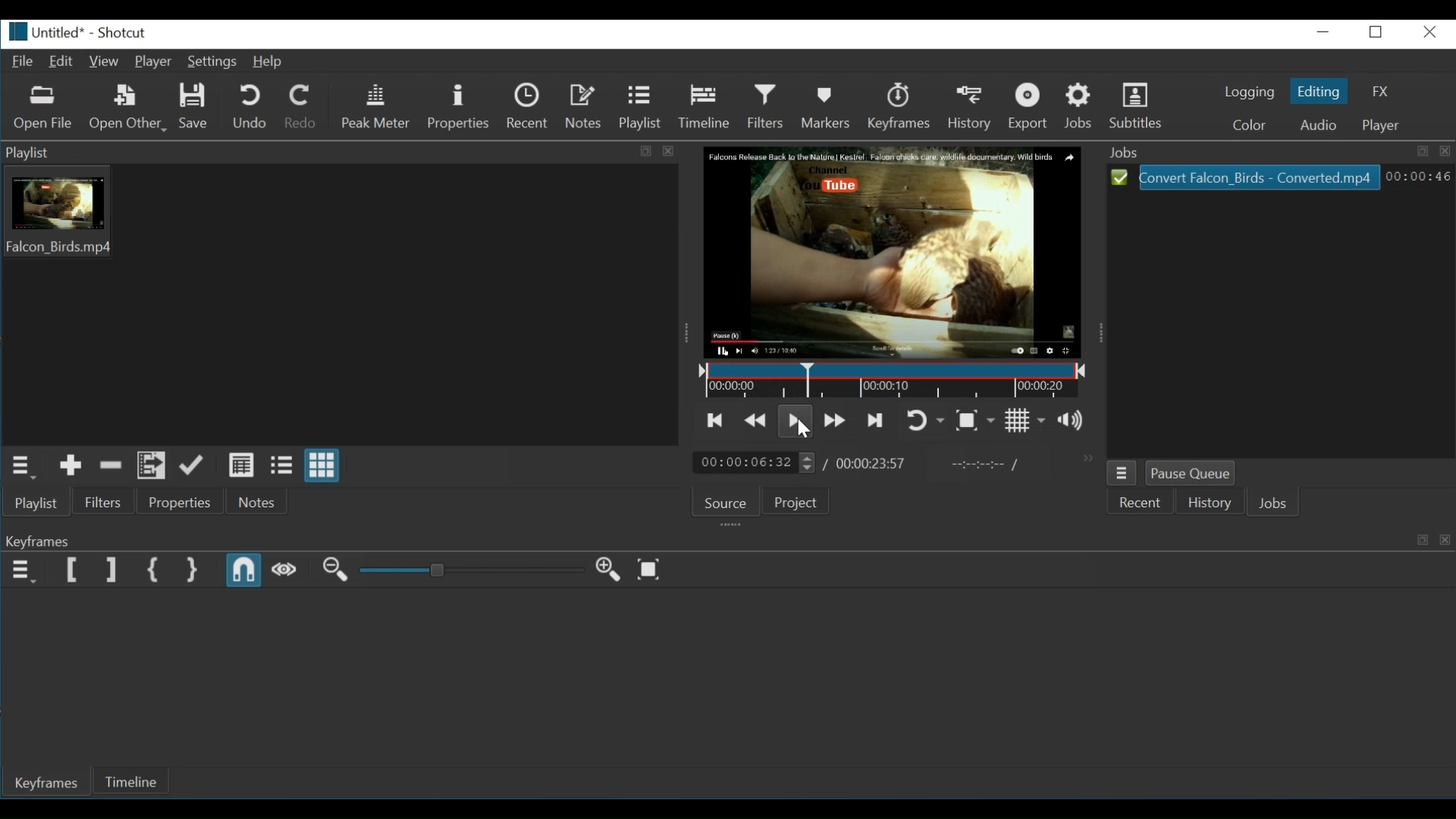  What do you see at coordinates (755, 463) in the screenshot?
I see `Current position` at bounding box center [755, 463].